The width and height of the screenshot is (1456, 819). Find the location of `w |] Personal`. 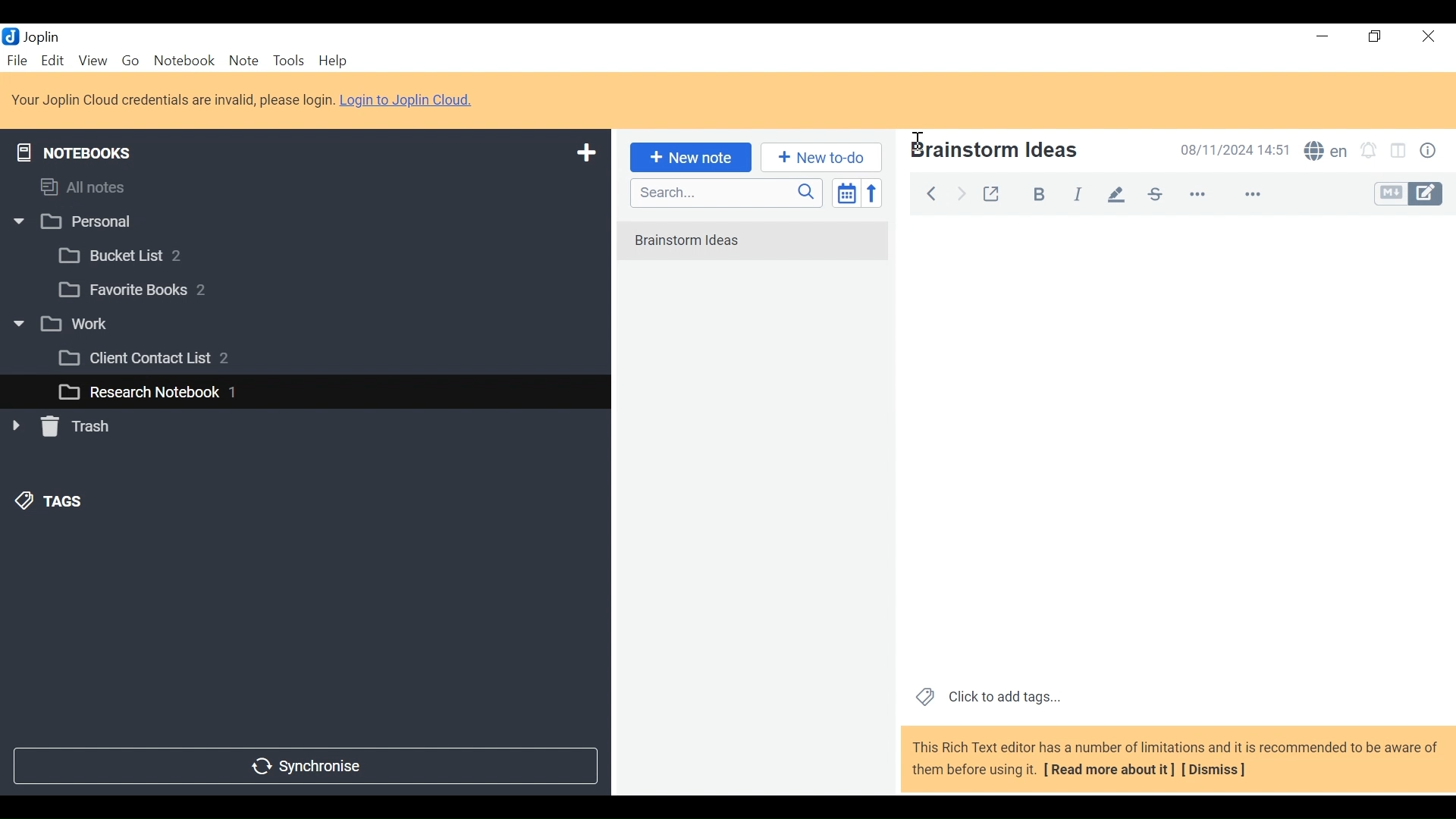

w |] Personal is located at coordinates (81, 223).